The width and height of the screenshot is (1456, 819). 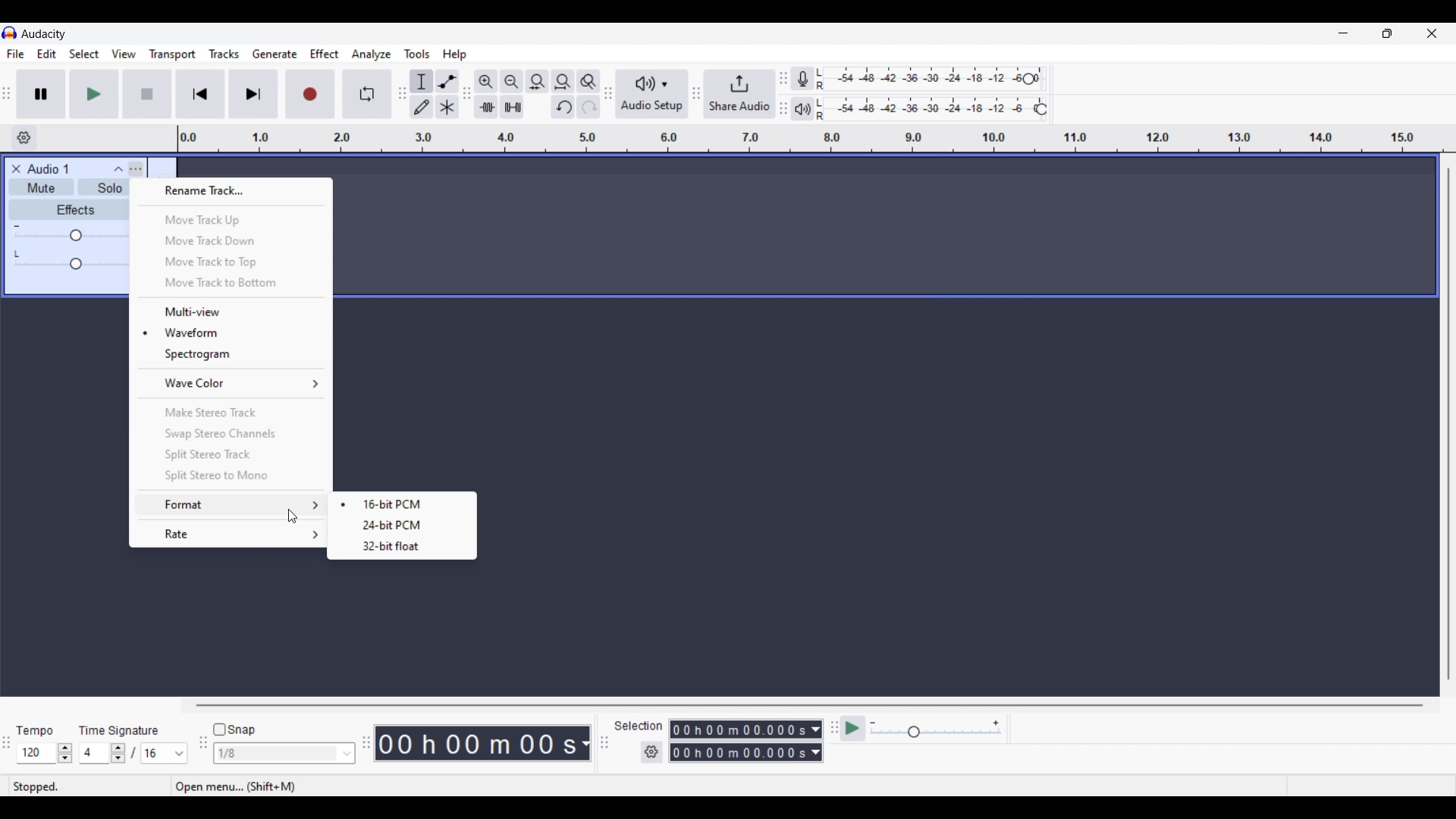 I want to click on Help menu, so click(x=454, y=55).